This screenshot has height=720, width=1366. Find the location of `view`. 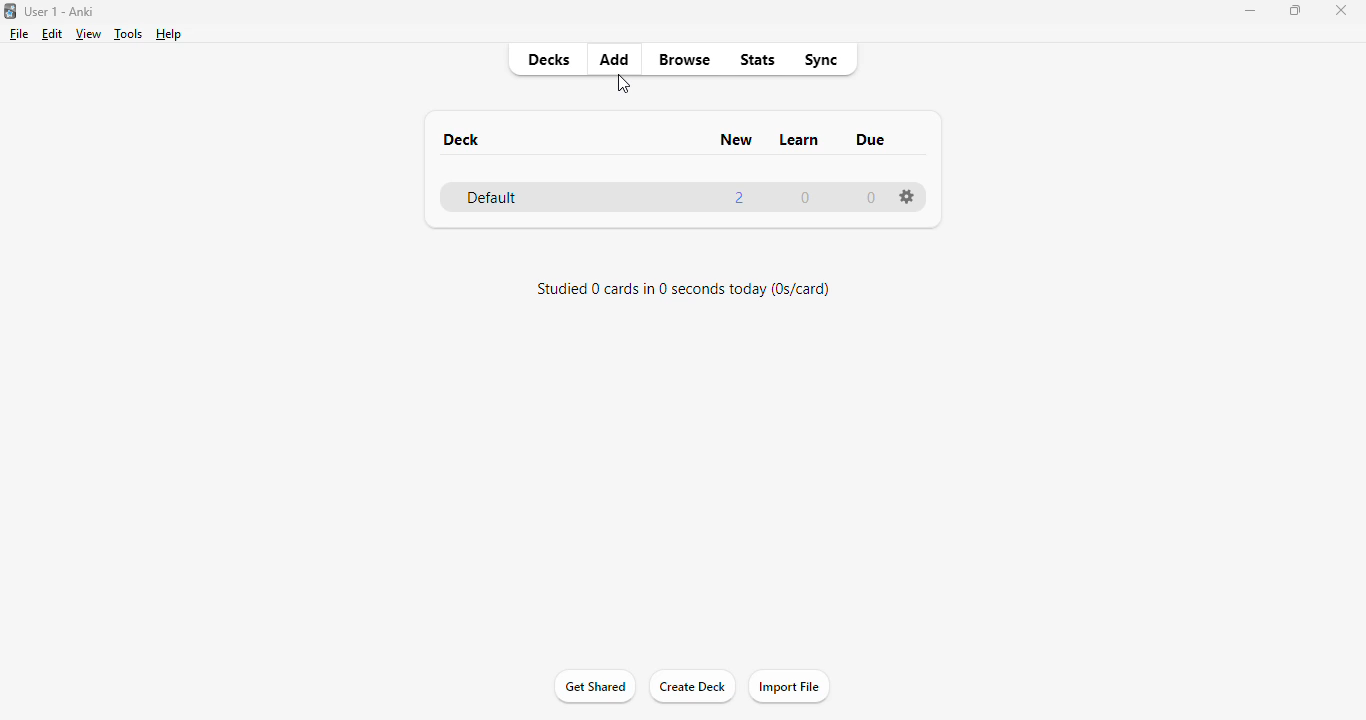

view is located at coordinates (89, 34).